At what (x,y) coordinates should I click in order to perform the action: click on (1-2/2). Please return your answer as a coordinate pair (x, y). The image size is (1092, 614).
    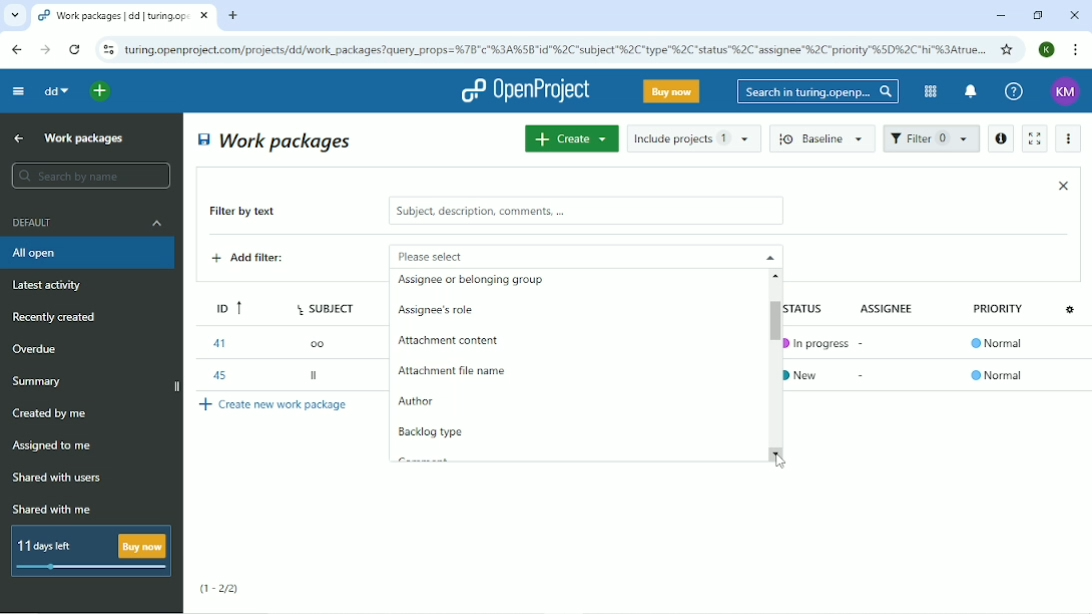
    Looking at the image, I should click on (220, 589).